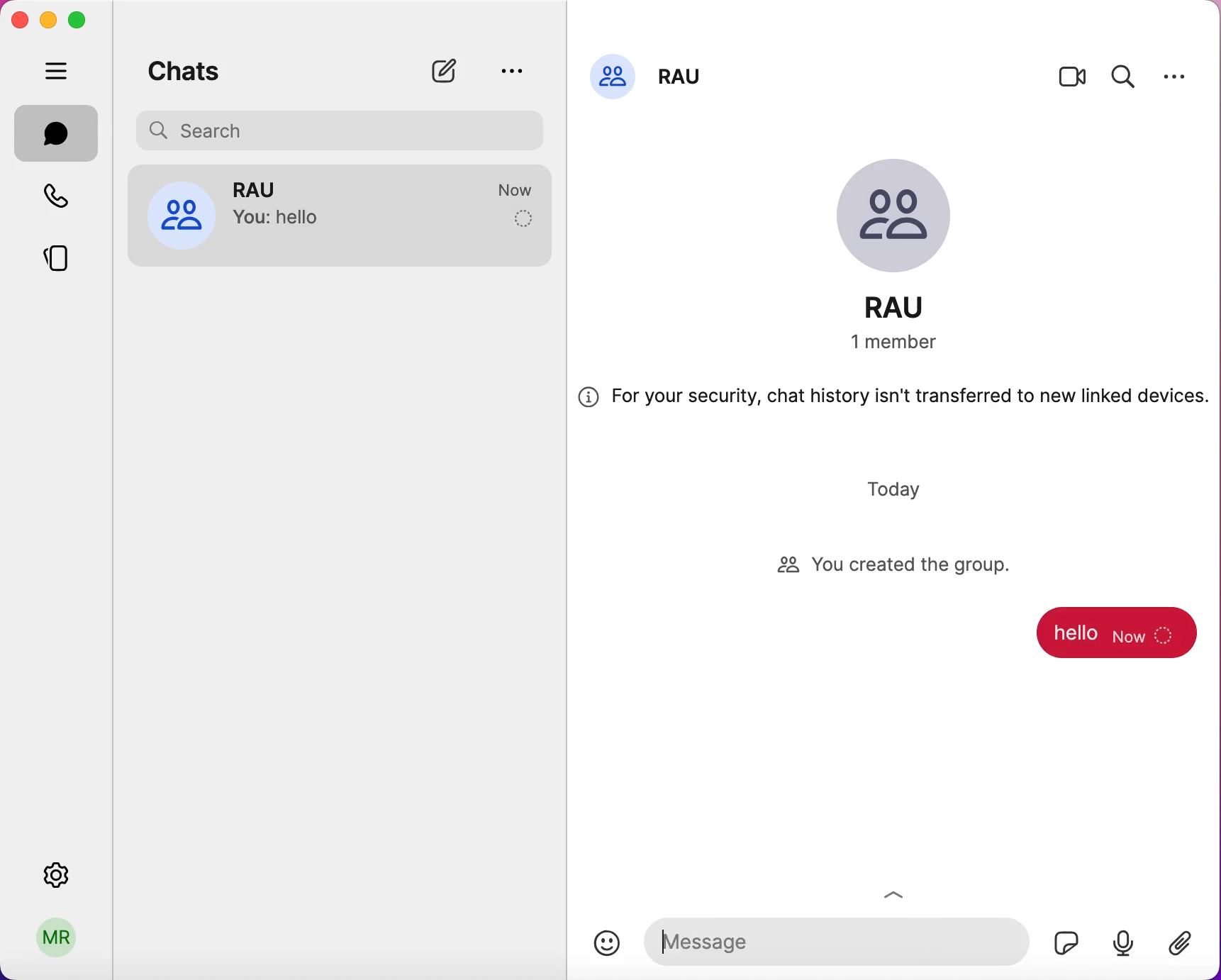  Describe the element at coordinates (342, 221) in the screenshot. I see `You created the group.` at that location.